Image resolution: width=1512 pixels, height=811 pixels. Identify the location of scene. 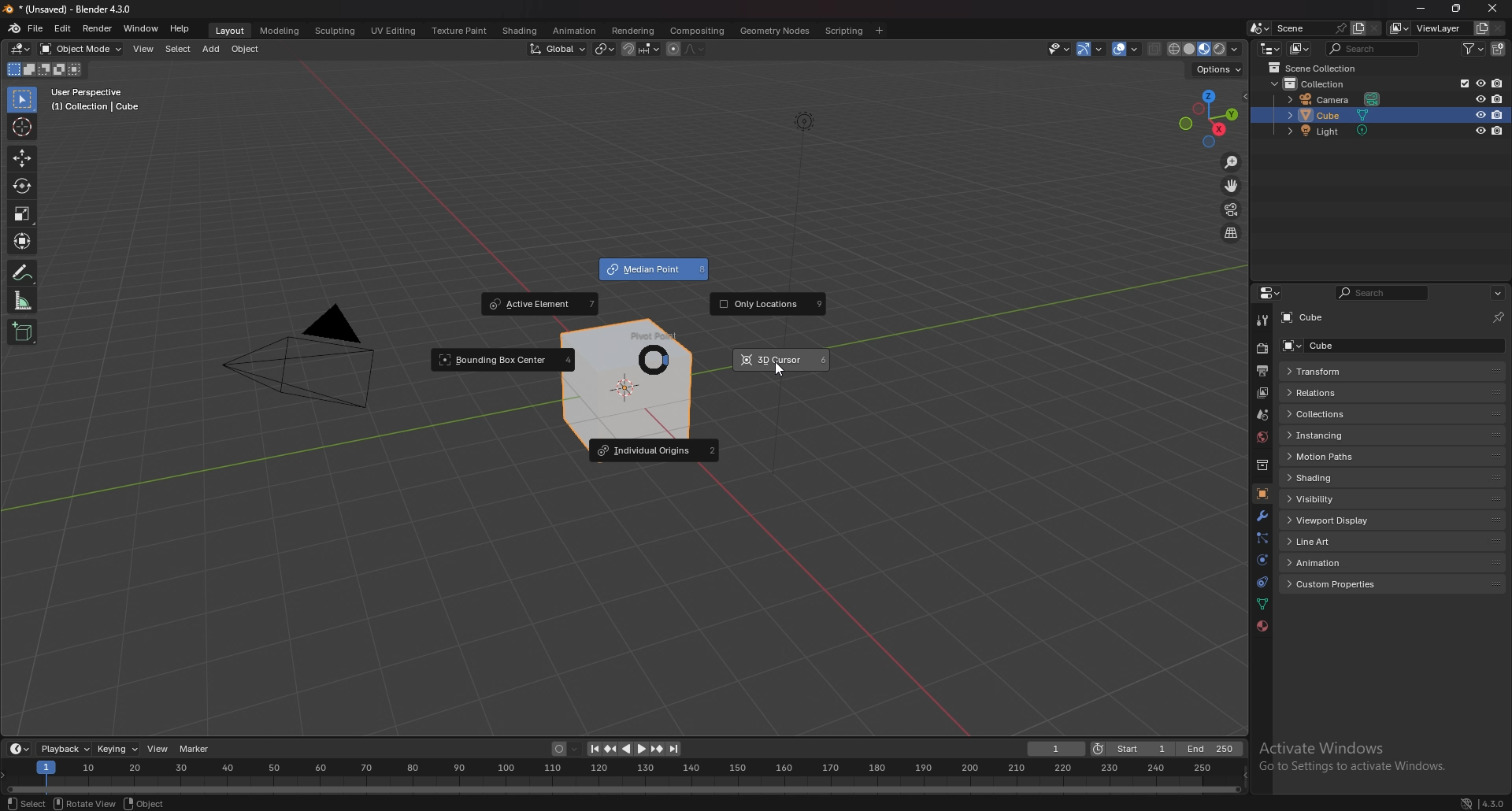
(1311, 28).